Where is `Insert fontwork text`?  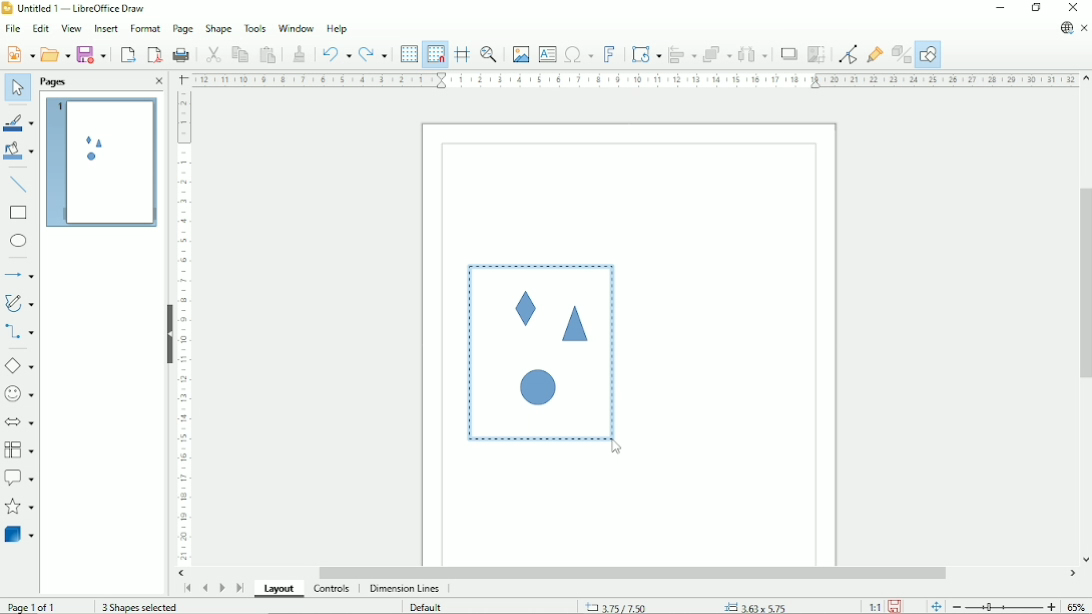 Insert fontwork text is located at coordinates (609, 54).